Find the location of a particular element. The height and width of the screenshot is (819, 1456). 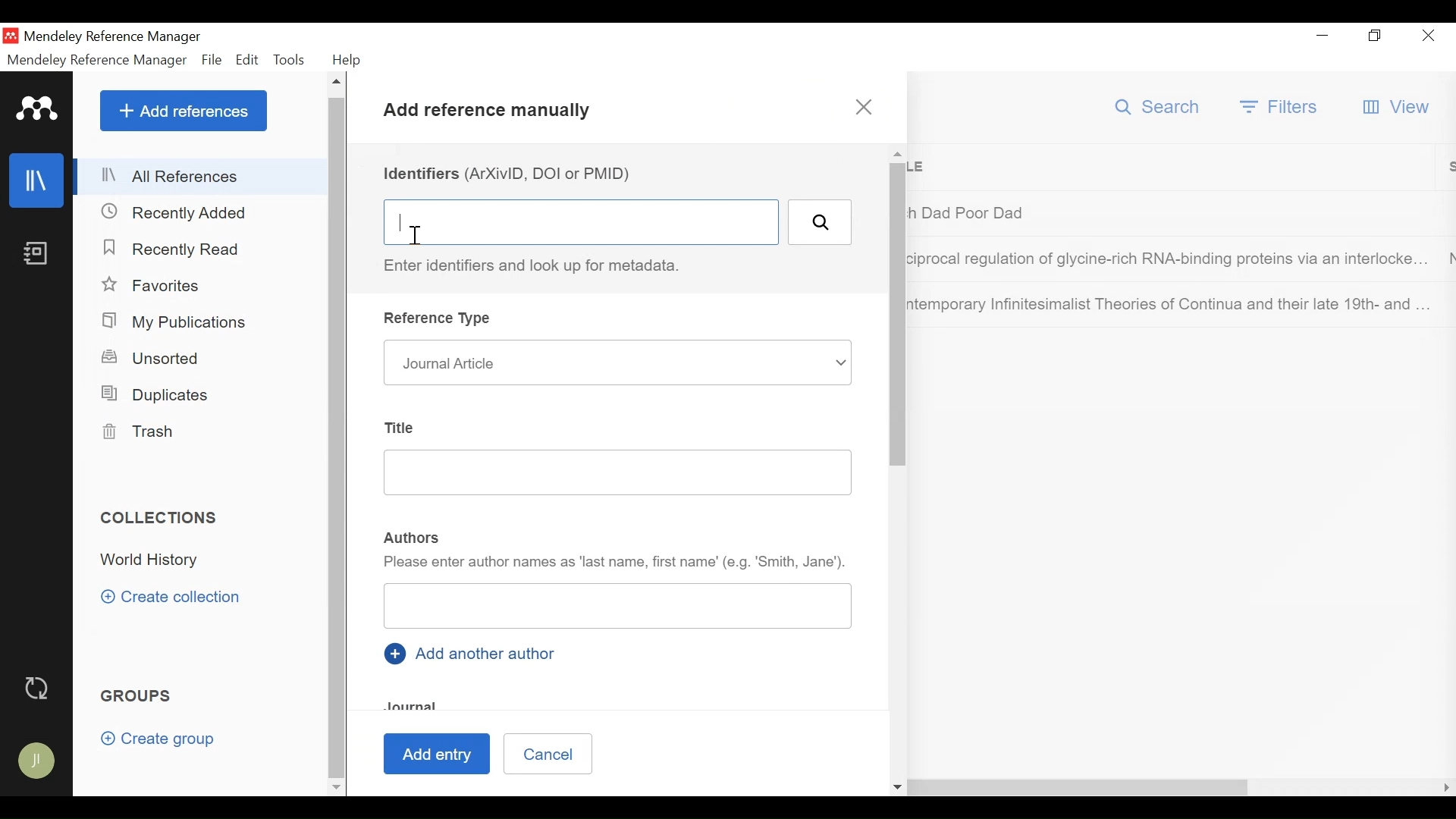

Unsorted is located at coordinates (162, 359).